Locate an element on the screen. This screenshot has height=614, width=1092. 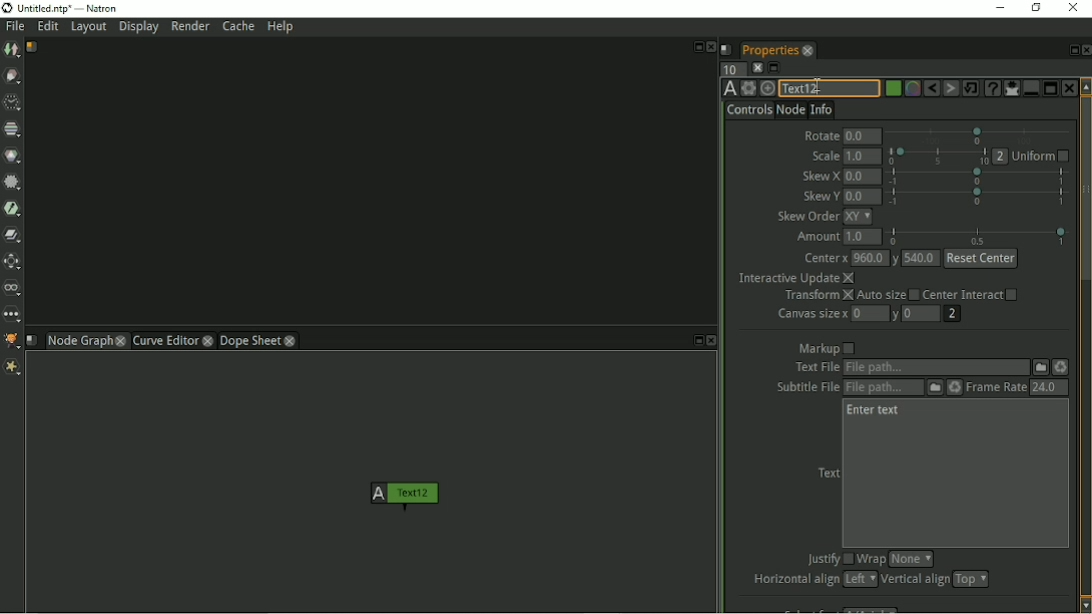
Minimize/maximize all panels is located at coordinates (775, 68).